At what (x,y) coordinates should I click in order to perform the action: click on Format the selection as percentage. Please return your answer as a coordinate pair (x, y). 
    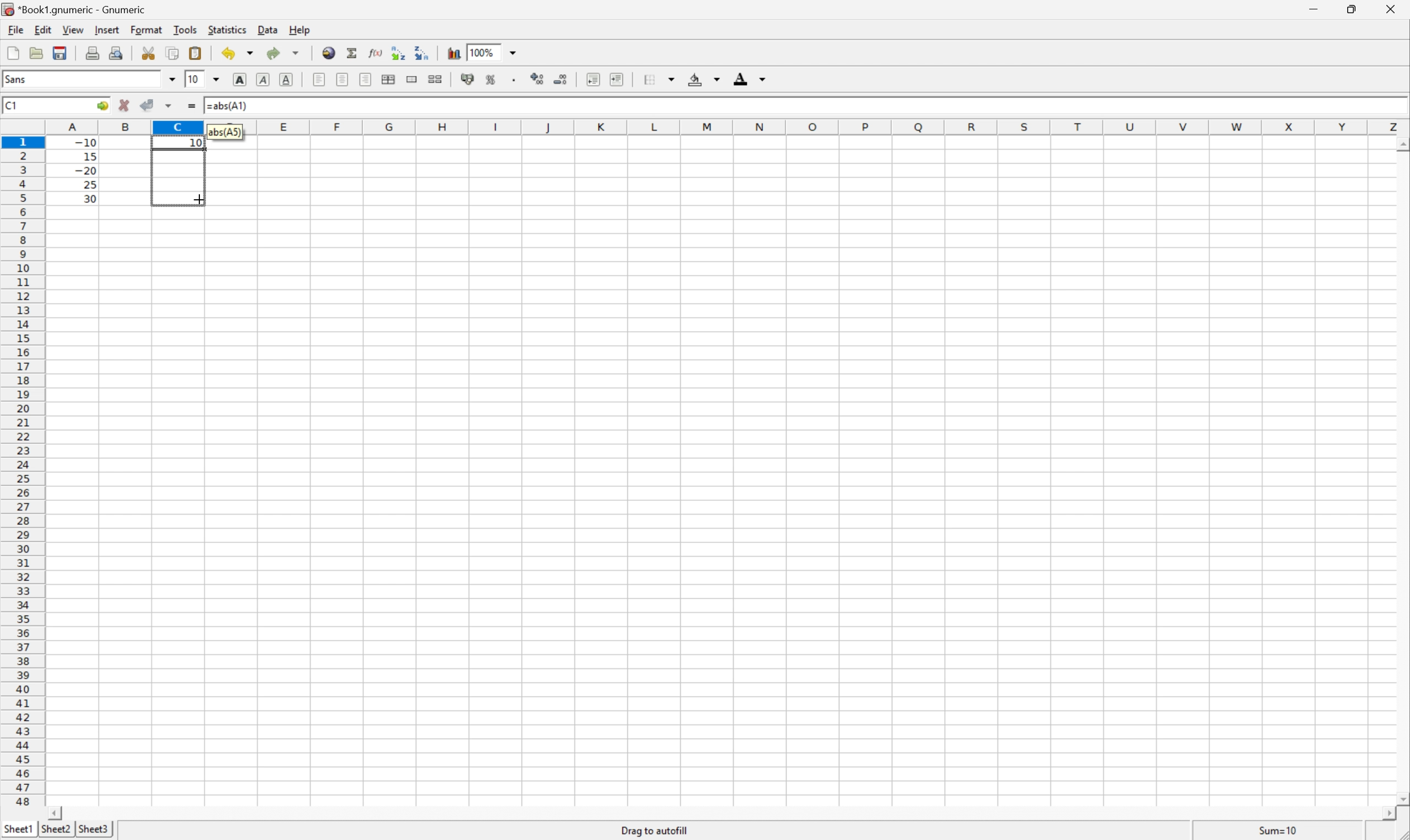
    Looking at the image, I should click on (492, 82).